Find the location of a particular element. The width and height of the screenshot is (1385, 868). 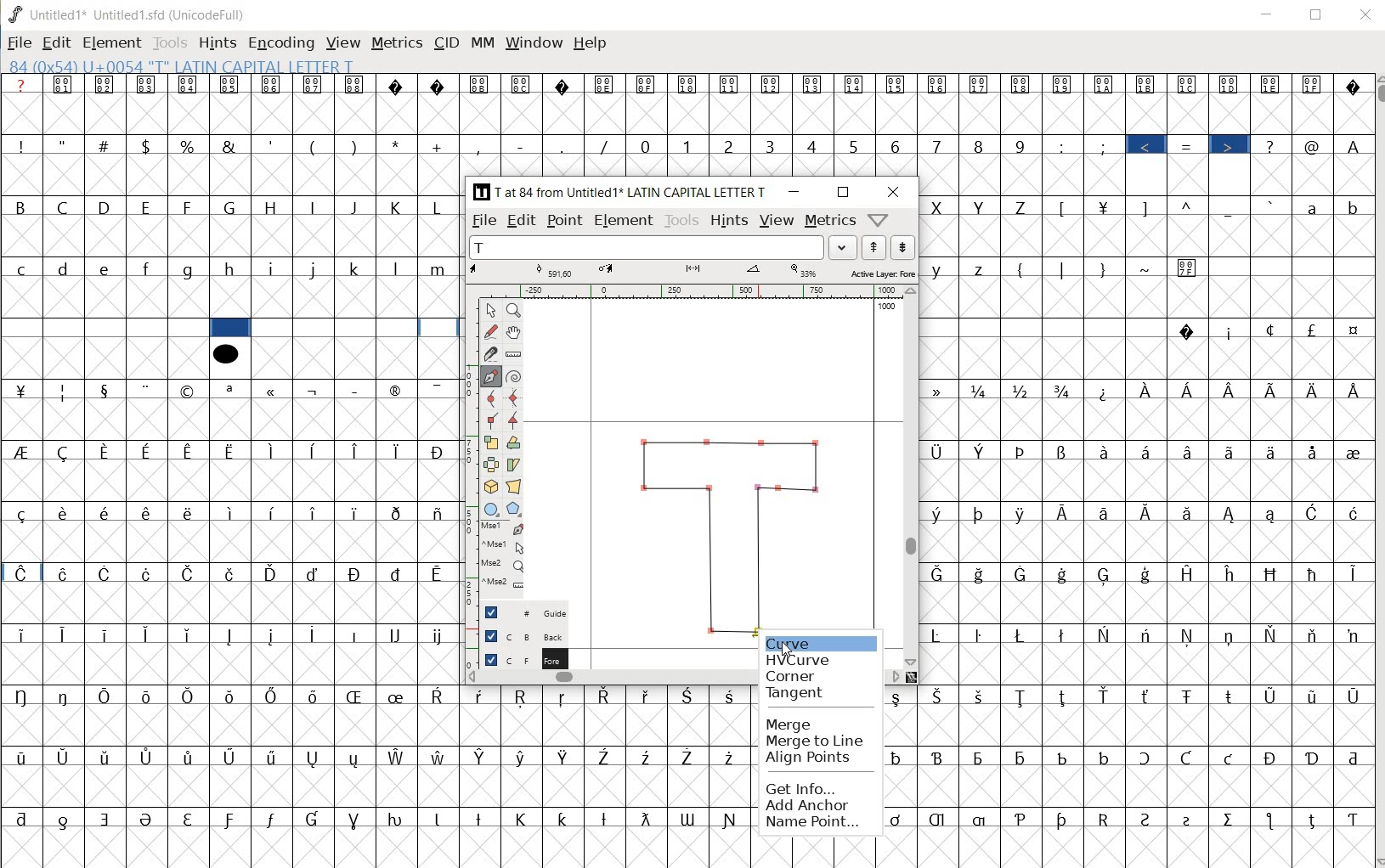

Symbol is located at coordinates (358, 511).